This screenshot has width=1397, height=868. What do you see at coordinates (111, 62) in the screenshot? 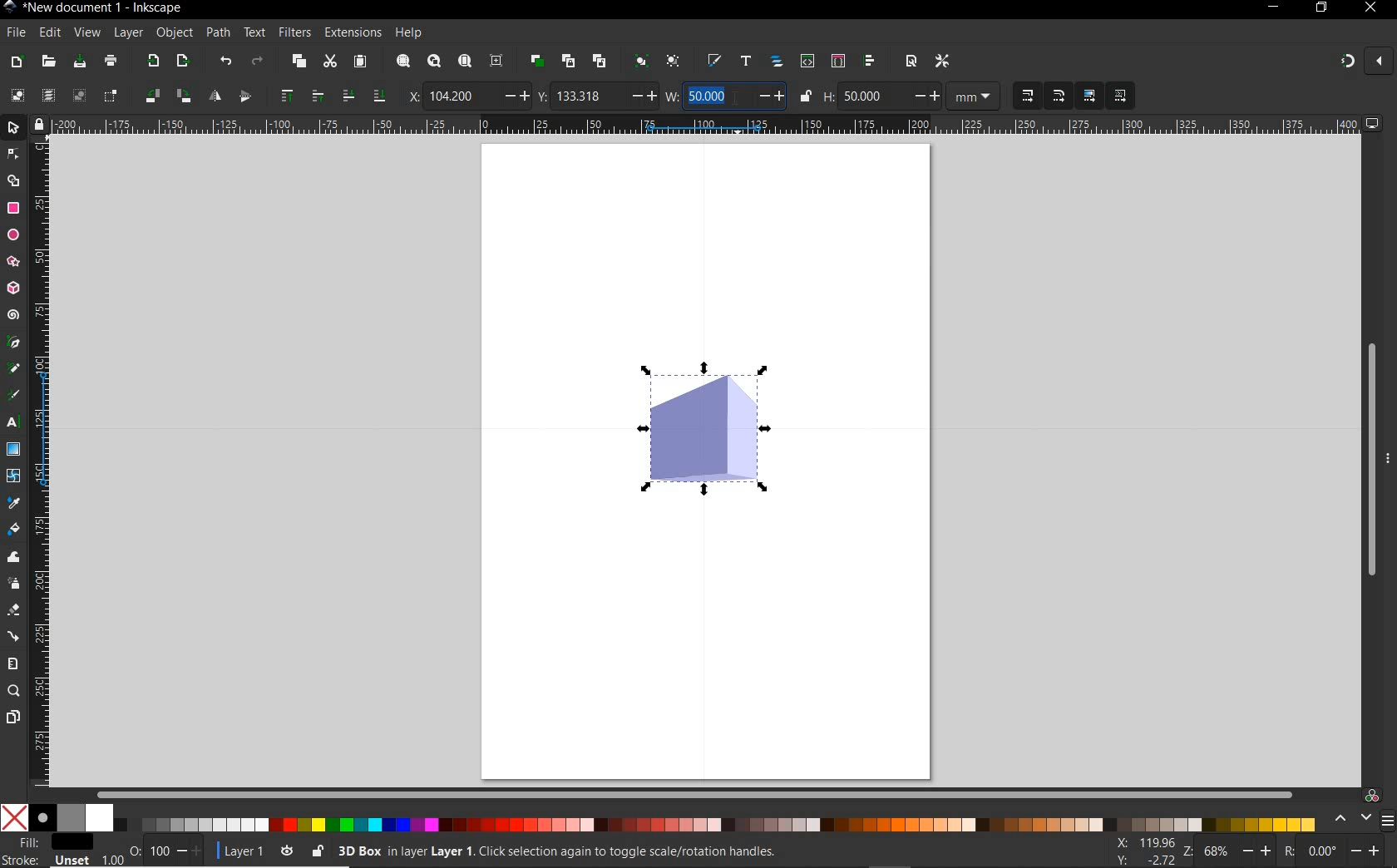
I see `print` at bounding box center [111, 62].